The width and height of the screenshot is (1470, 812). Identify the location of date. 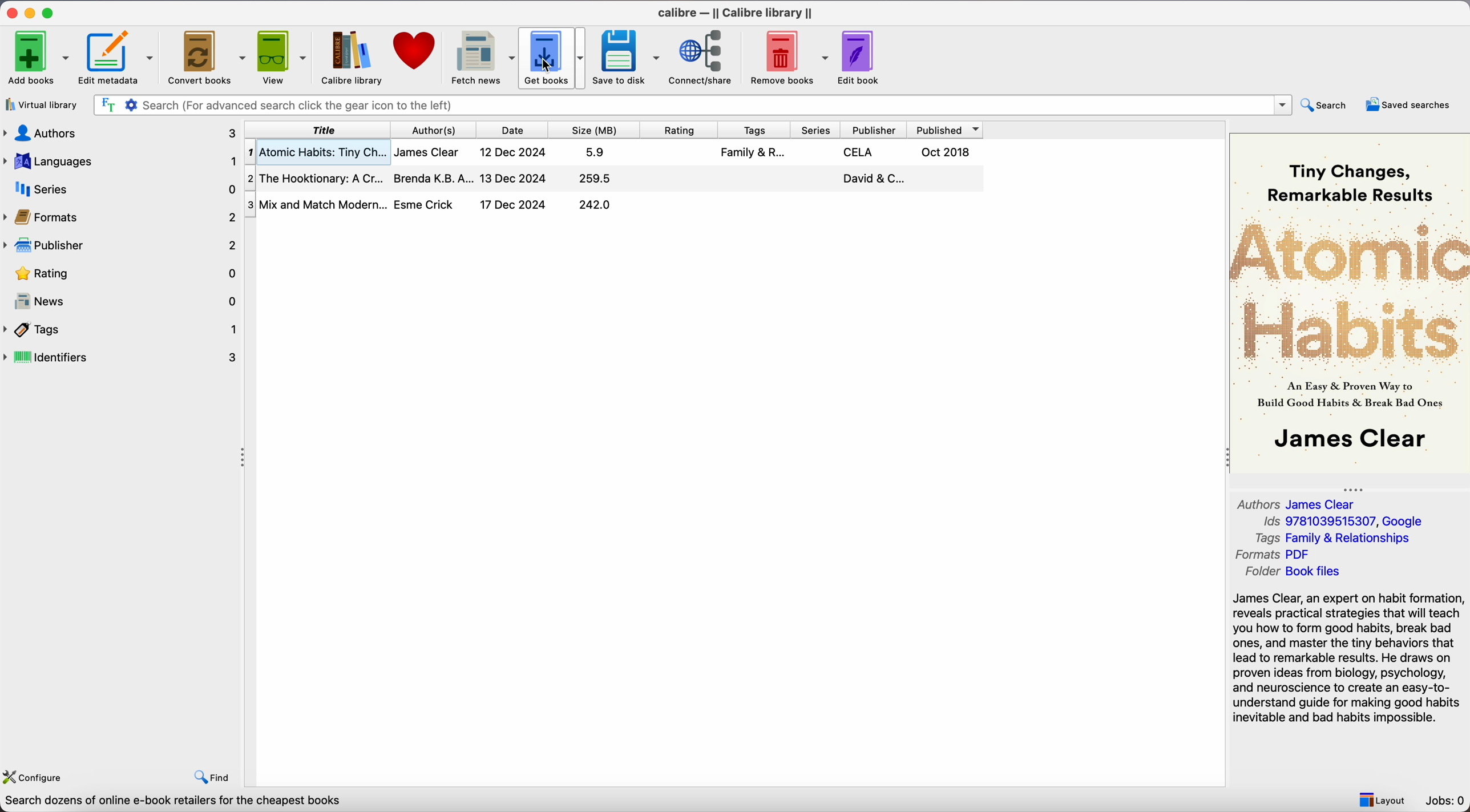
(515, 130).